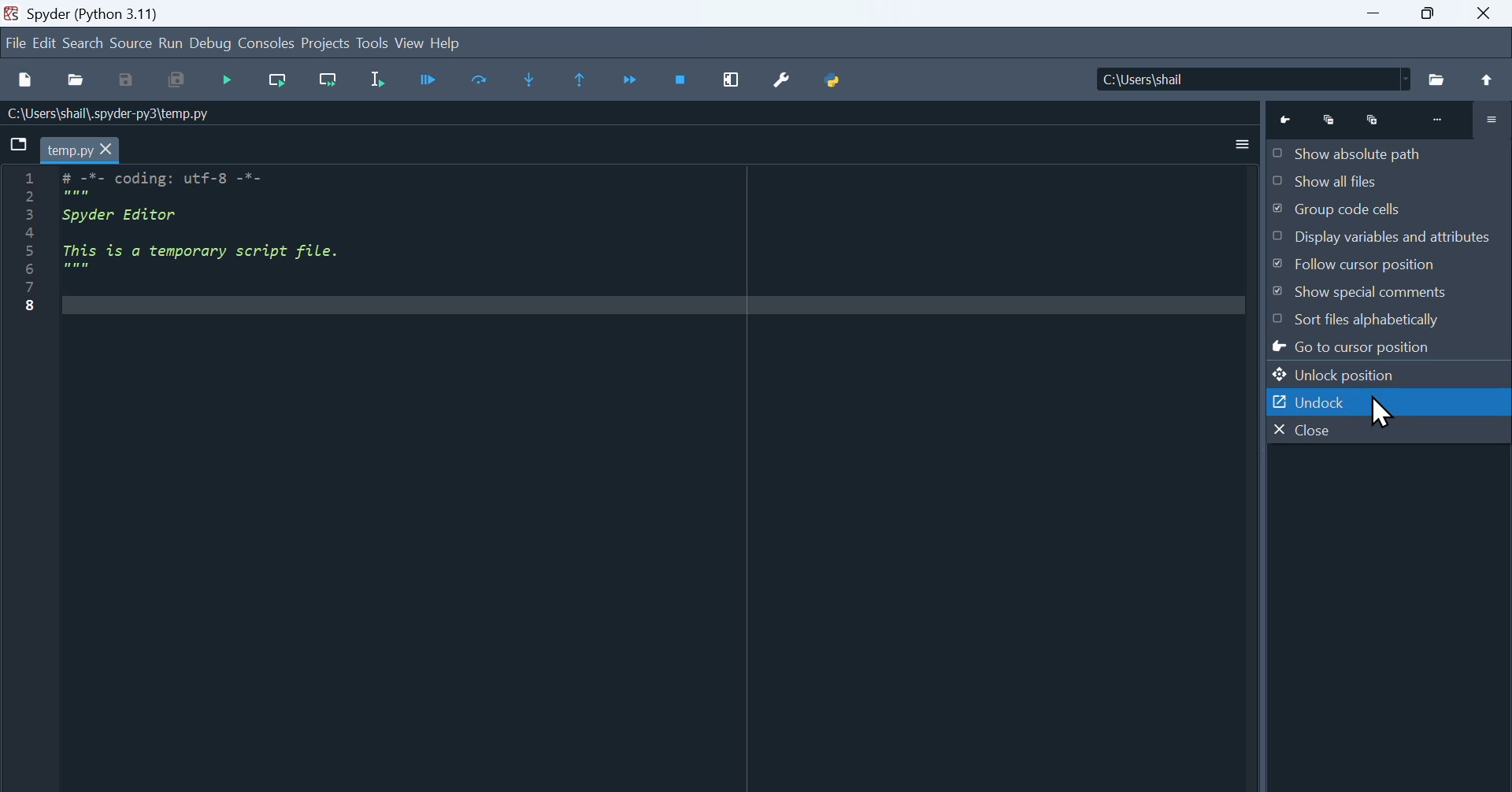  What do you see at coordinates (448, 43) in the screenshot?
I see `help` at bounding box center [448, 43].